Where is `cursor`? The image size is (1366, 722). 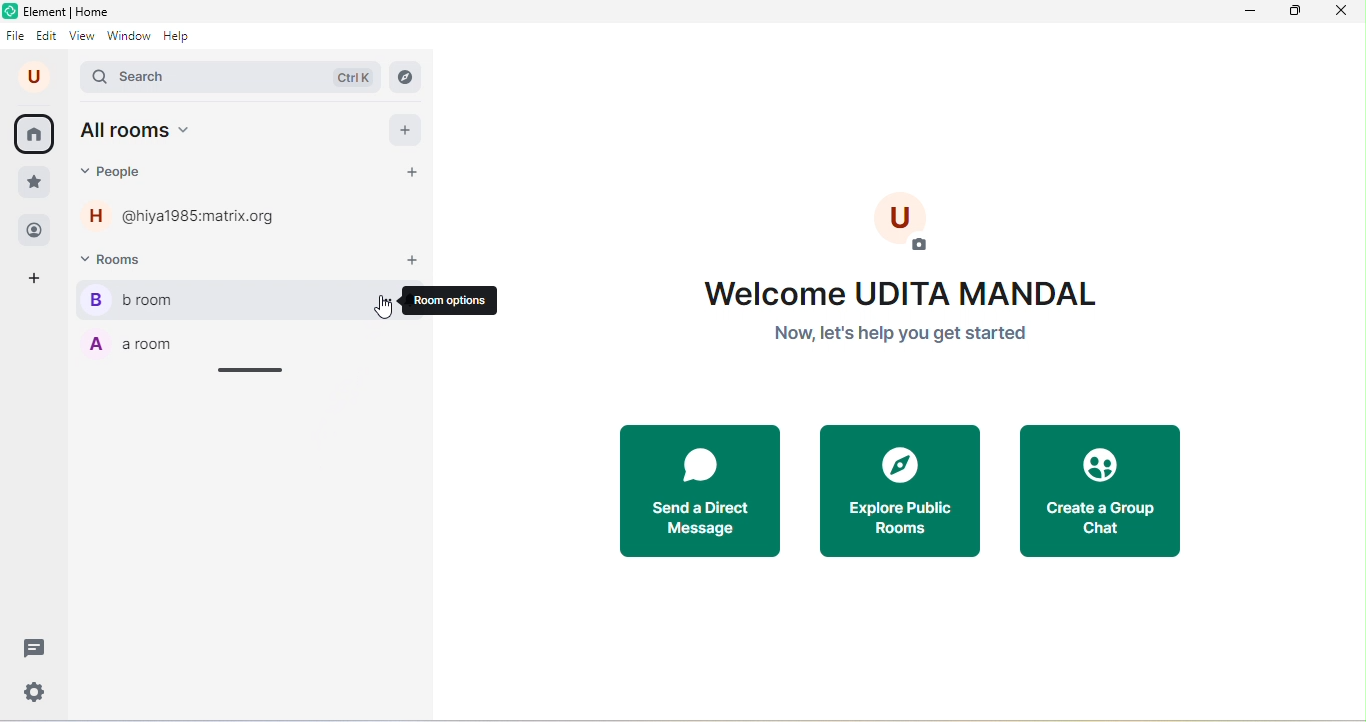 cursor is located at coordinates (382, 307).